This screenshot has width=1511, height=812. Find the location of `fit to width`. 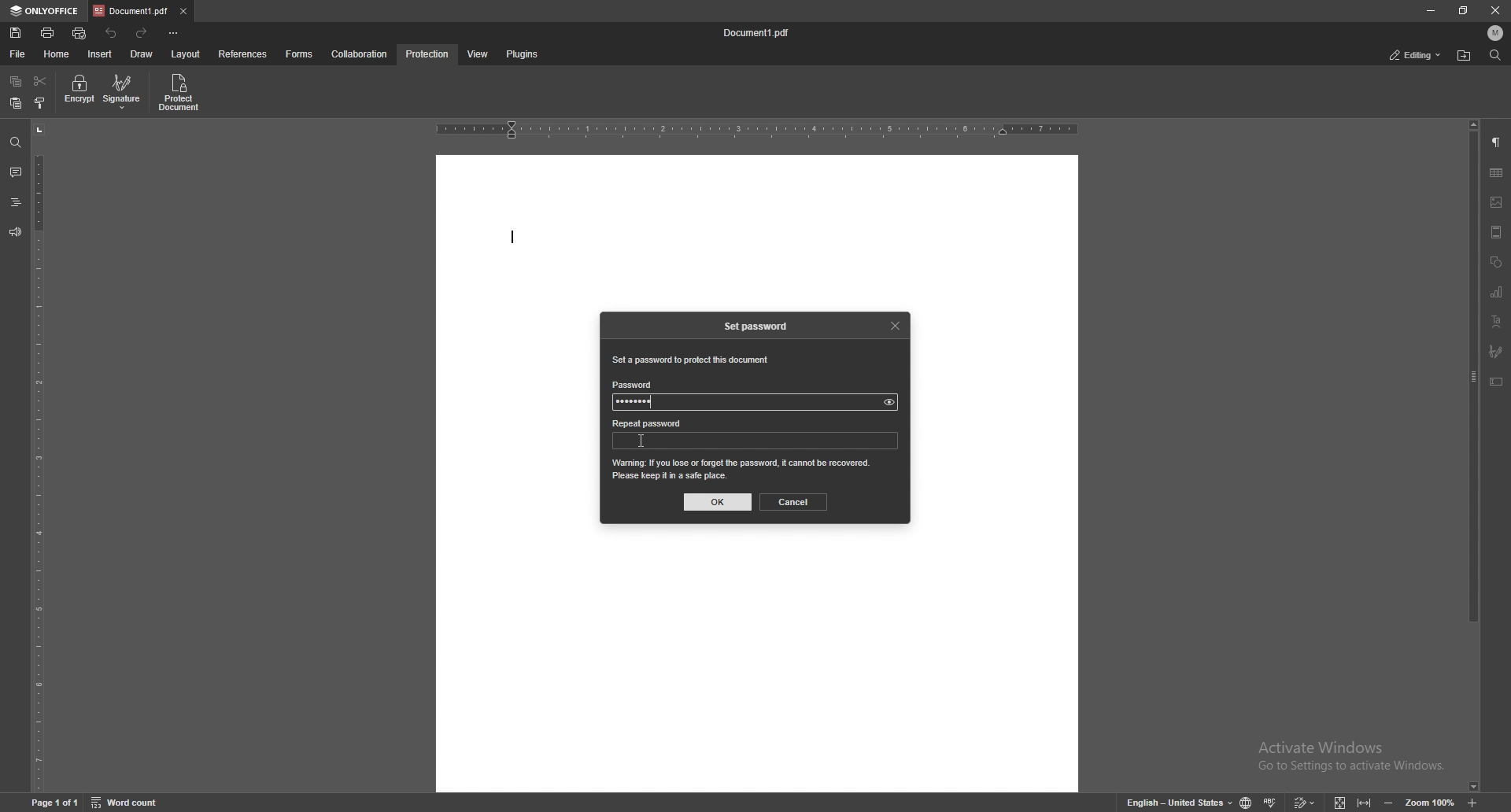

fit to width is located at coordinates (1365, 801).